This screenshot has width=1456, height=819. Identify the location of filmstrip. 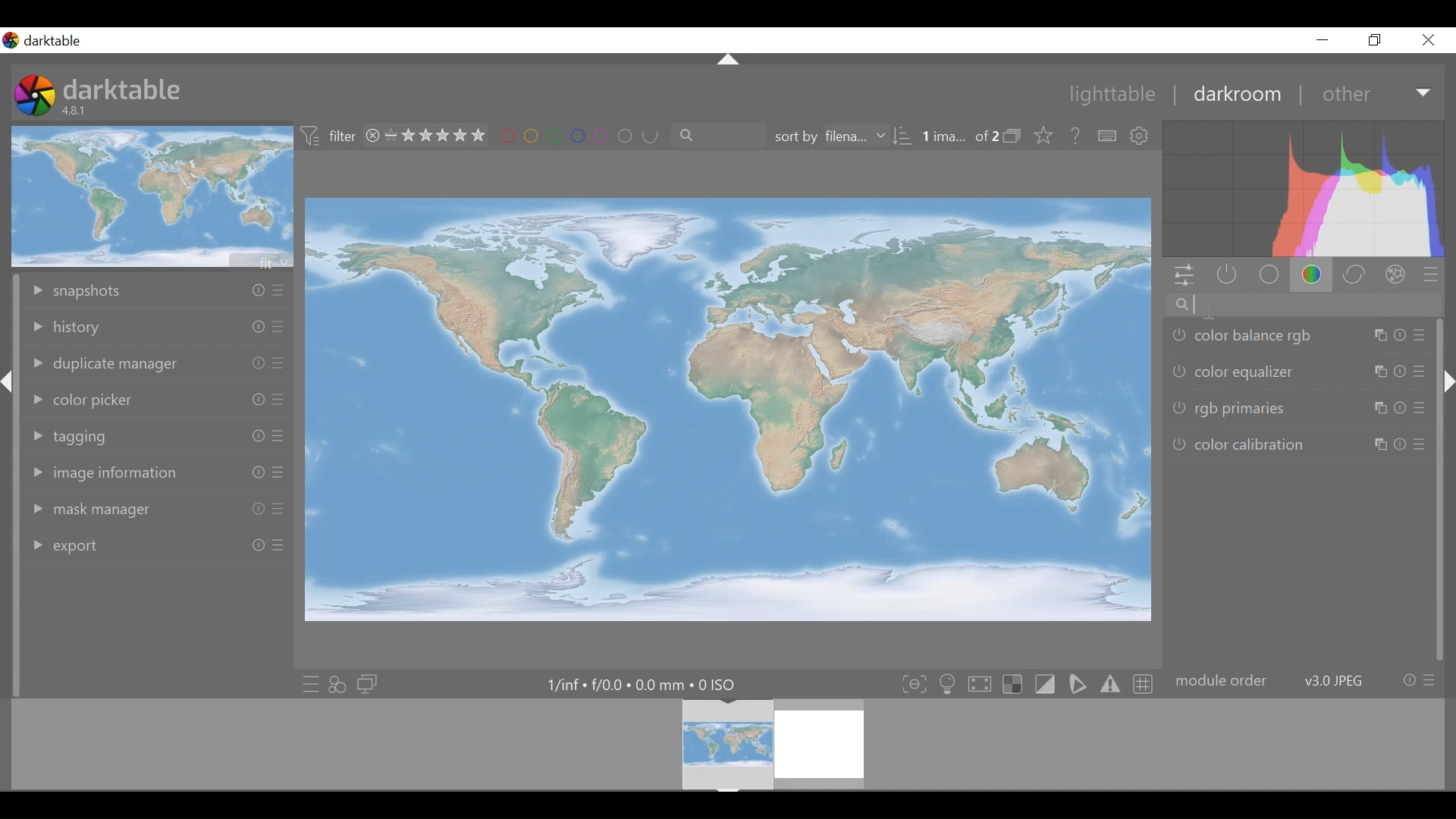
(726, 744).